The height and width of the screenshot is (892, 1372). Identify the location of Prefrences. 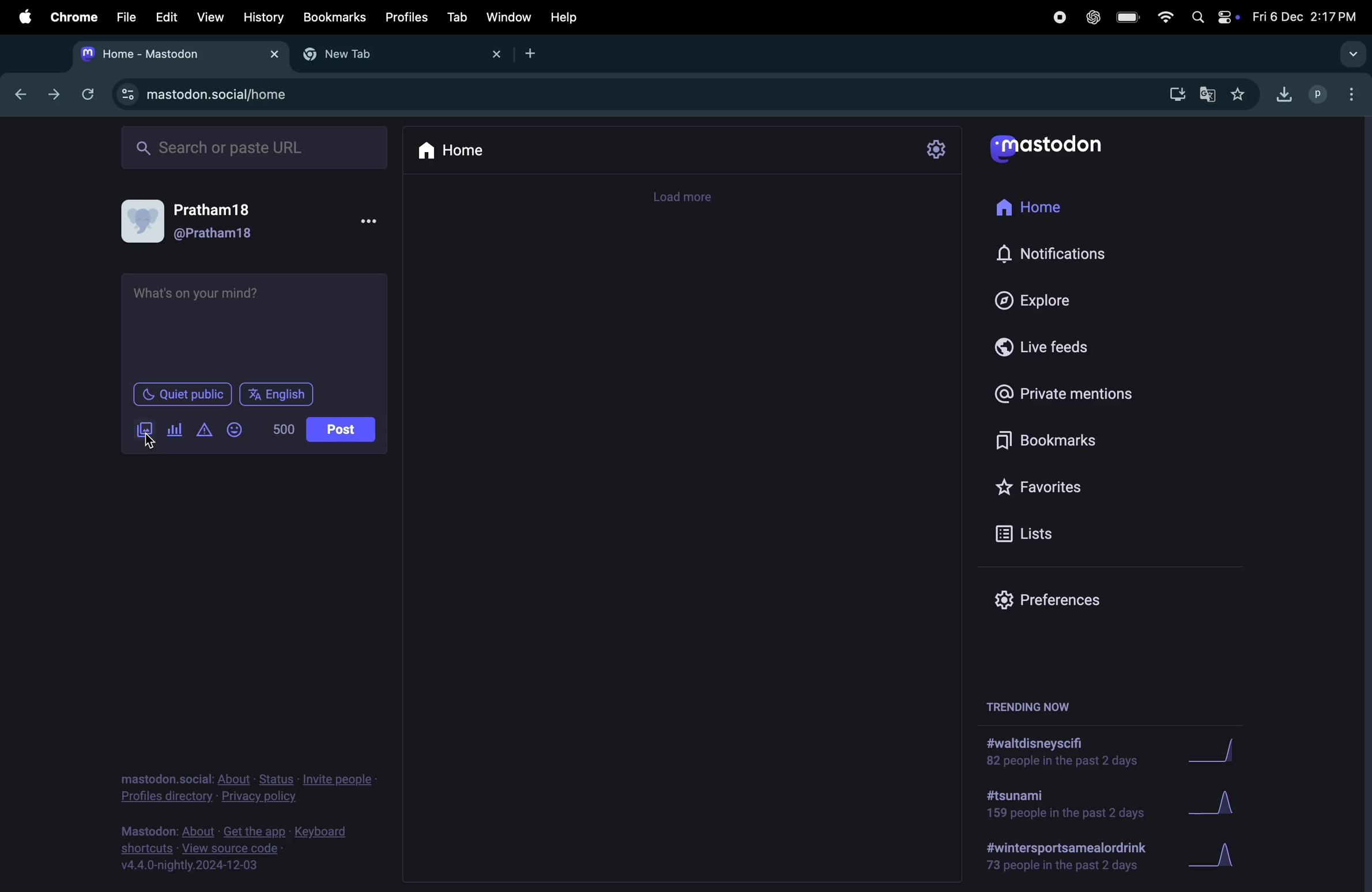
(1051, 598).